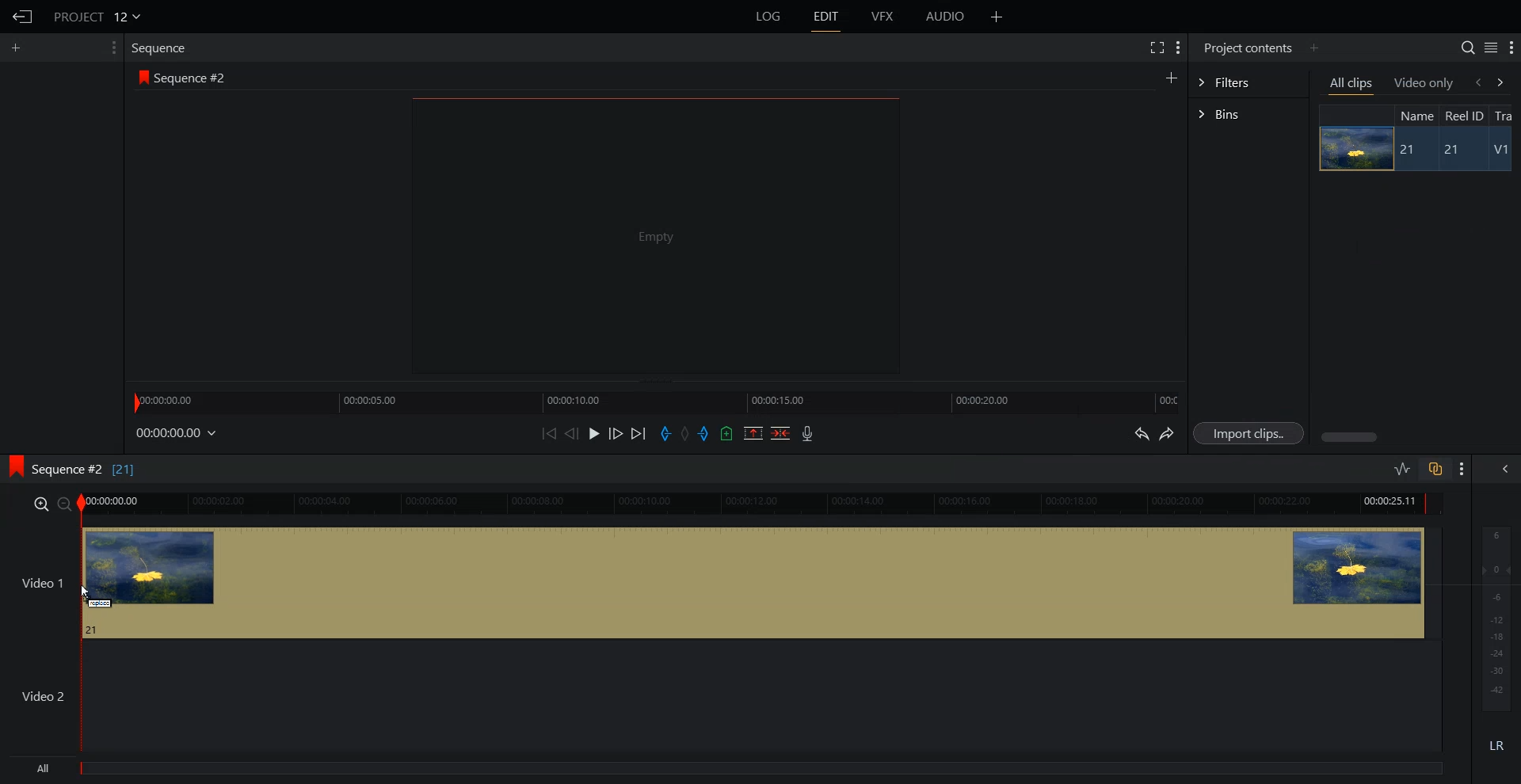  I want to click on 21, so click(1448, 150).